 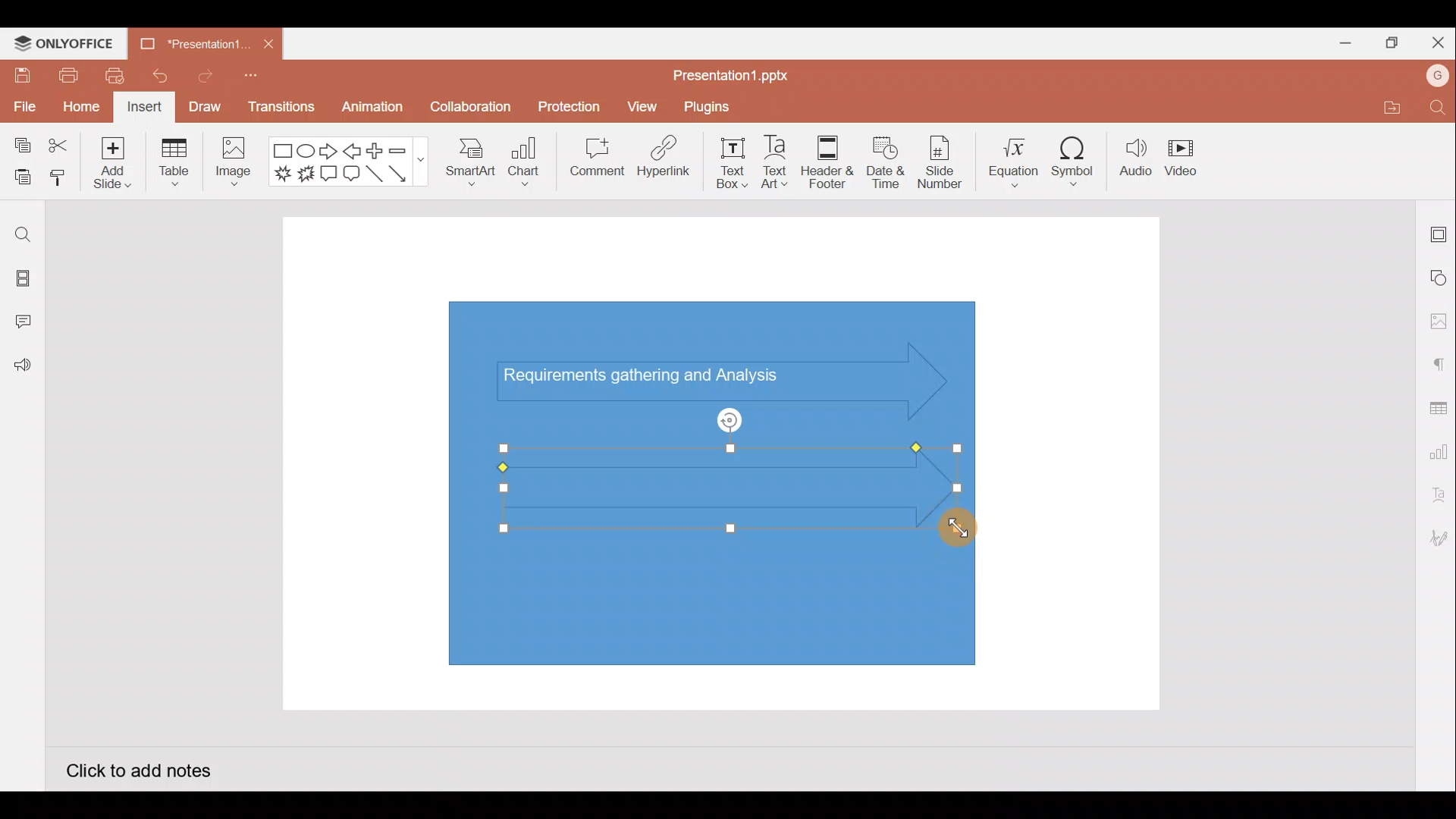 What do you see at coordinates (955, 533) in the screenshot?
I see `Cursor on inserted right arrow` at bounding box center [955, 533].